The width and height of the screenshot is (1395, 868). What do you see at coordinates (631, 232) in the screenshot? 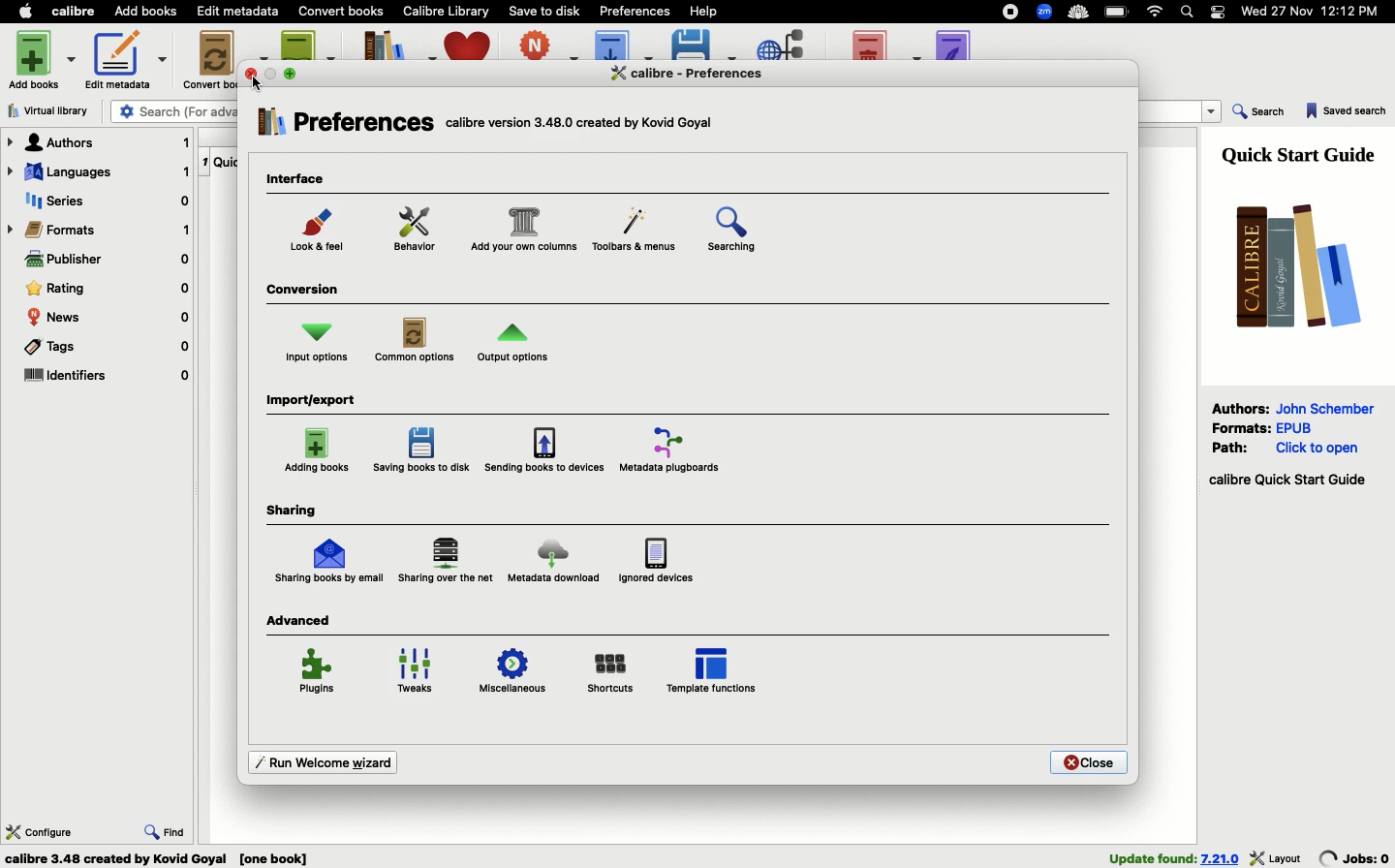
I see `Menu` at bounding box center [631, 232].